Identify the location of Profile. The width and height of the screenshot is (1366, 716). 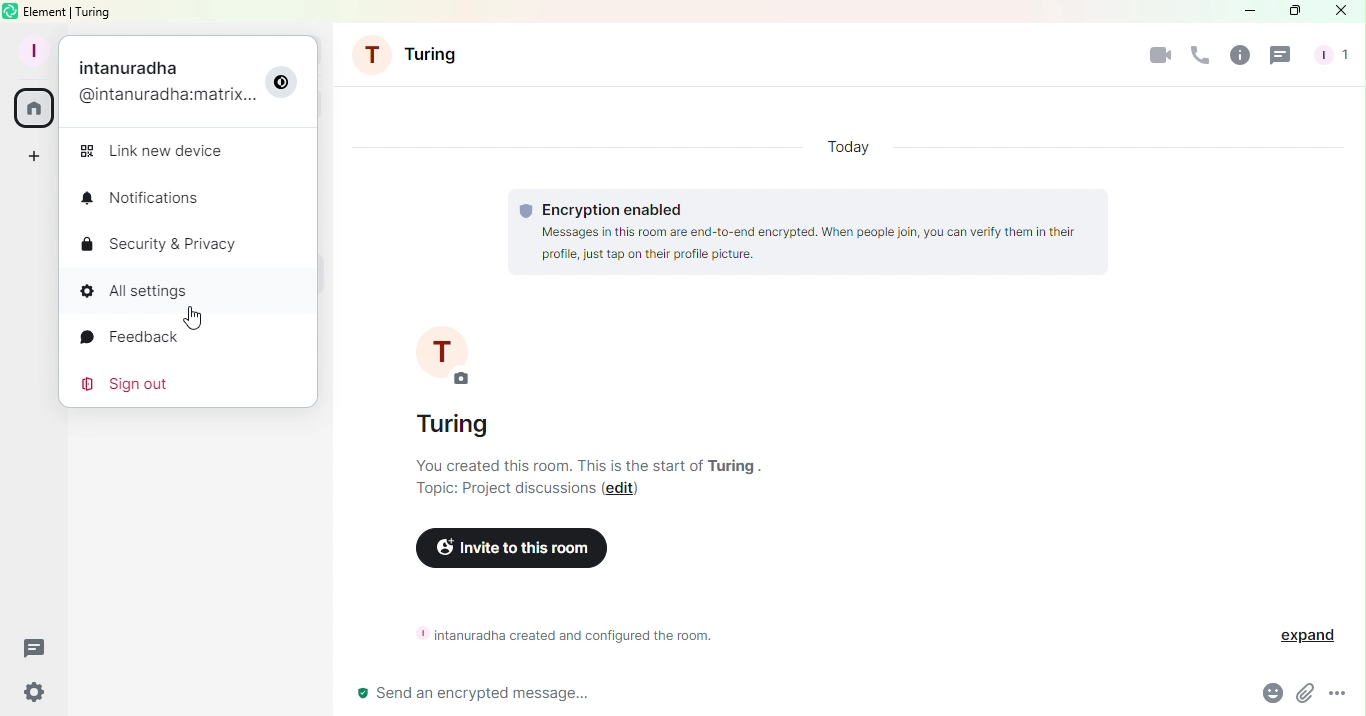
(29, 49).